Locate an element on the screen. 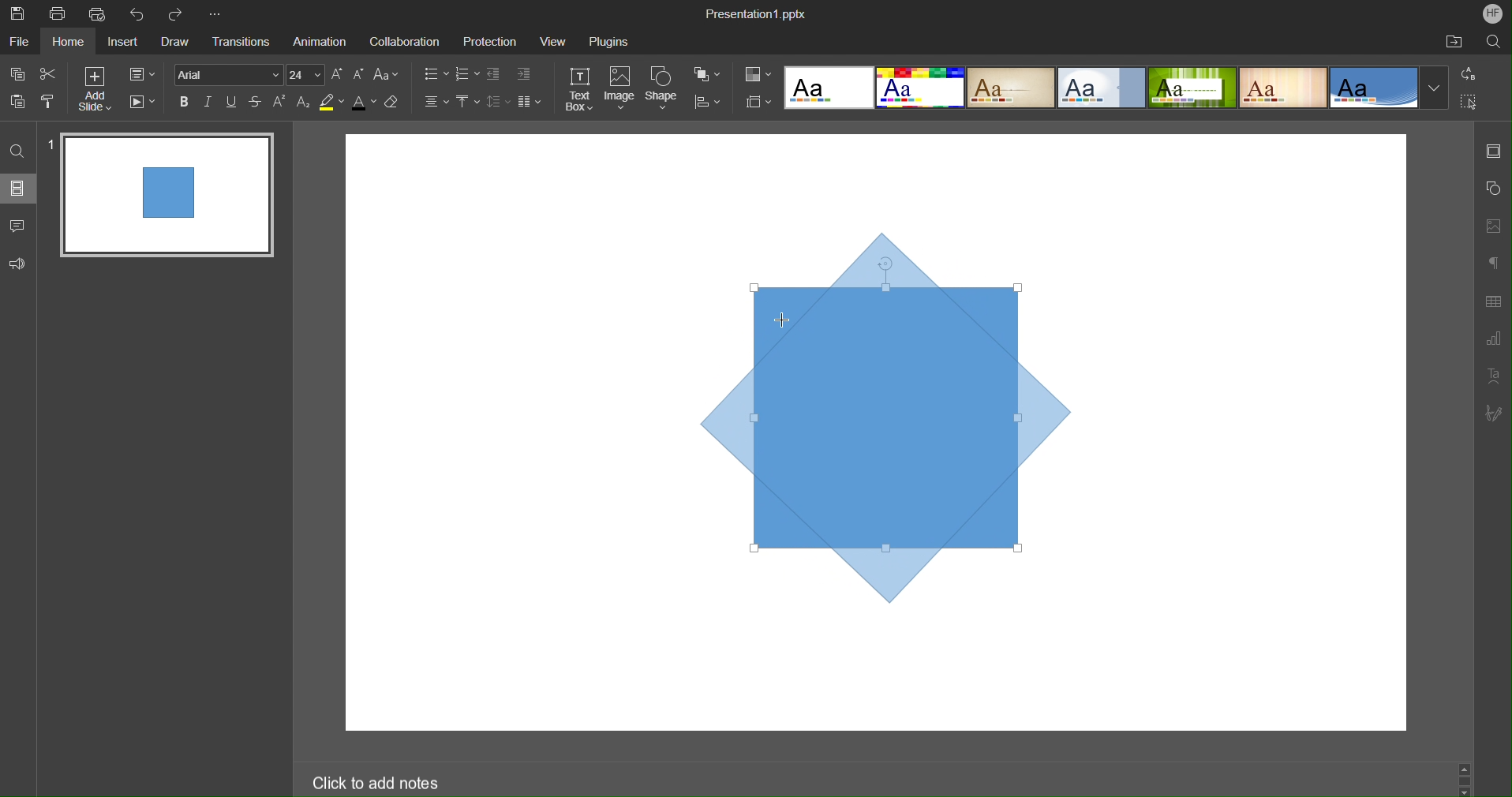  Cursor is located at coordinates (789, 321).